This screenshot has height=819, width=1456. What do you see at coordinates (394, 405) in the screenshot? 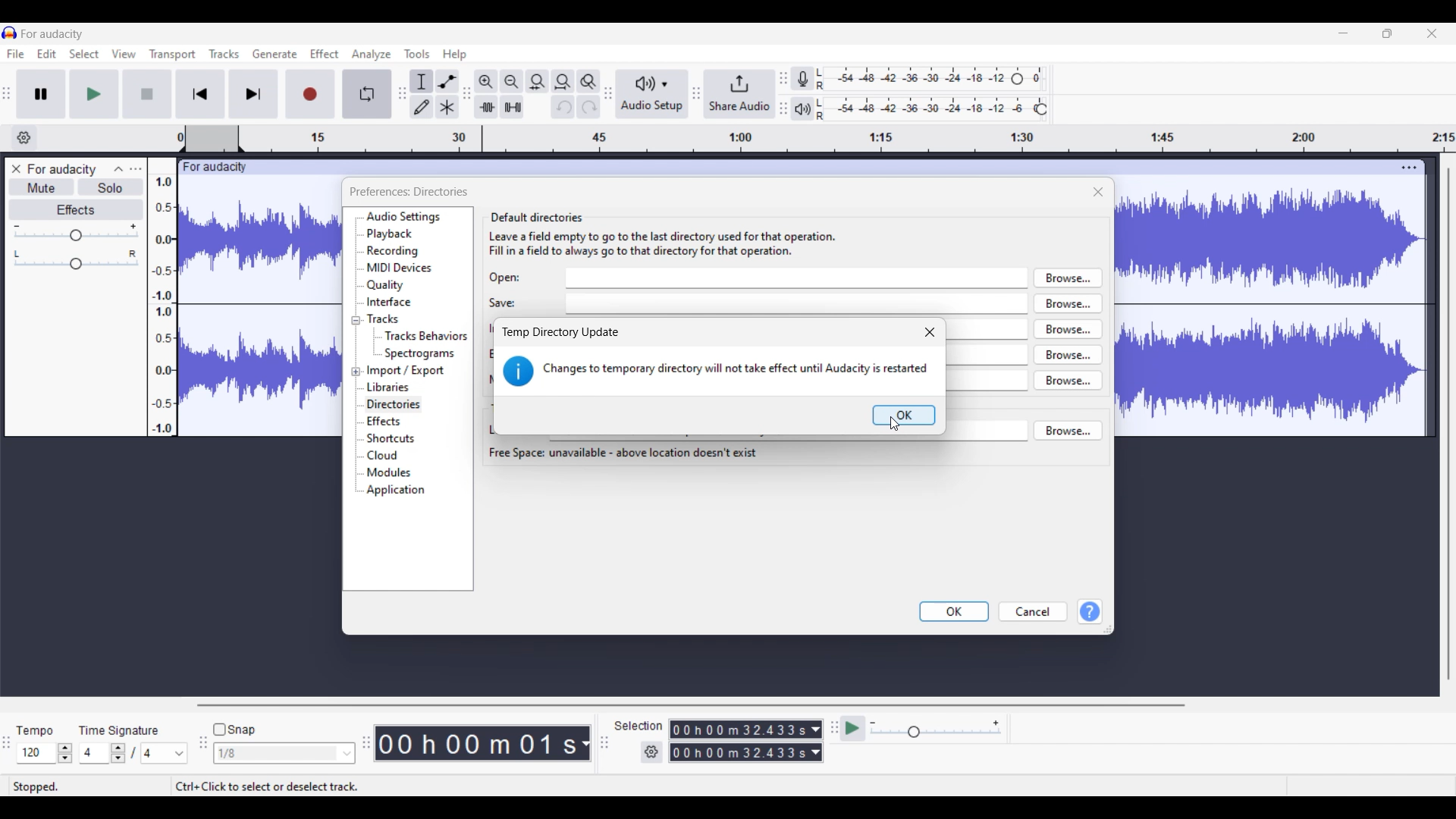
I see `Directories, current selection highlighted` at bounding box center [394, 405].